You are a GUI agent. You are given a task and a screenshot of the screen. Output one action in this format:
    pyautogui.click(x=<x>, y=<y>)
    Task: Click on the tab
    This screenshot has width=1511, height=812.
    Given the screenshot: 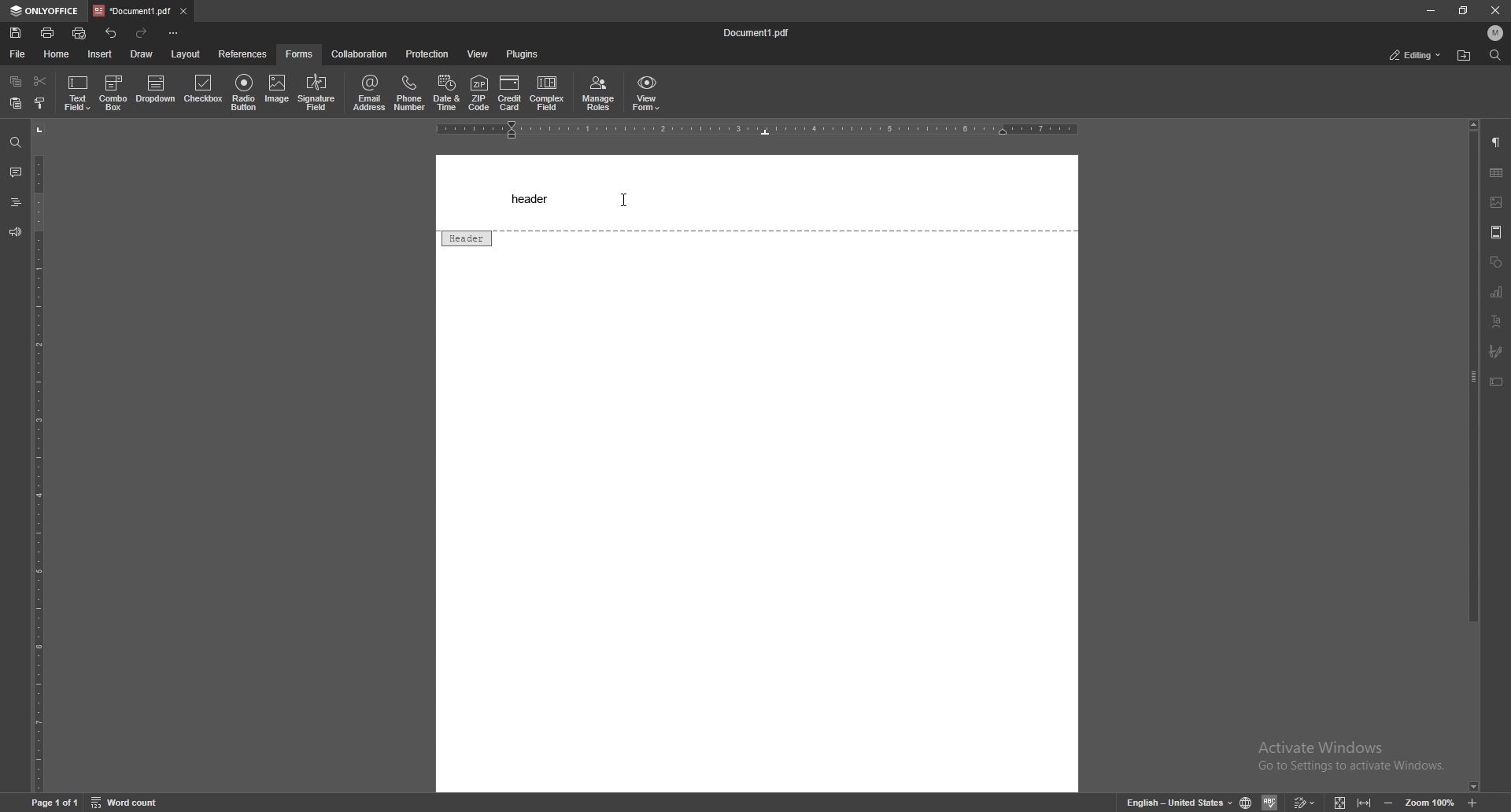 What is the action you would take?
    pyautogui.click(x=132, y=11)
    